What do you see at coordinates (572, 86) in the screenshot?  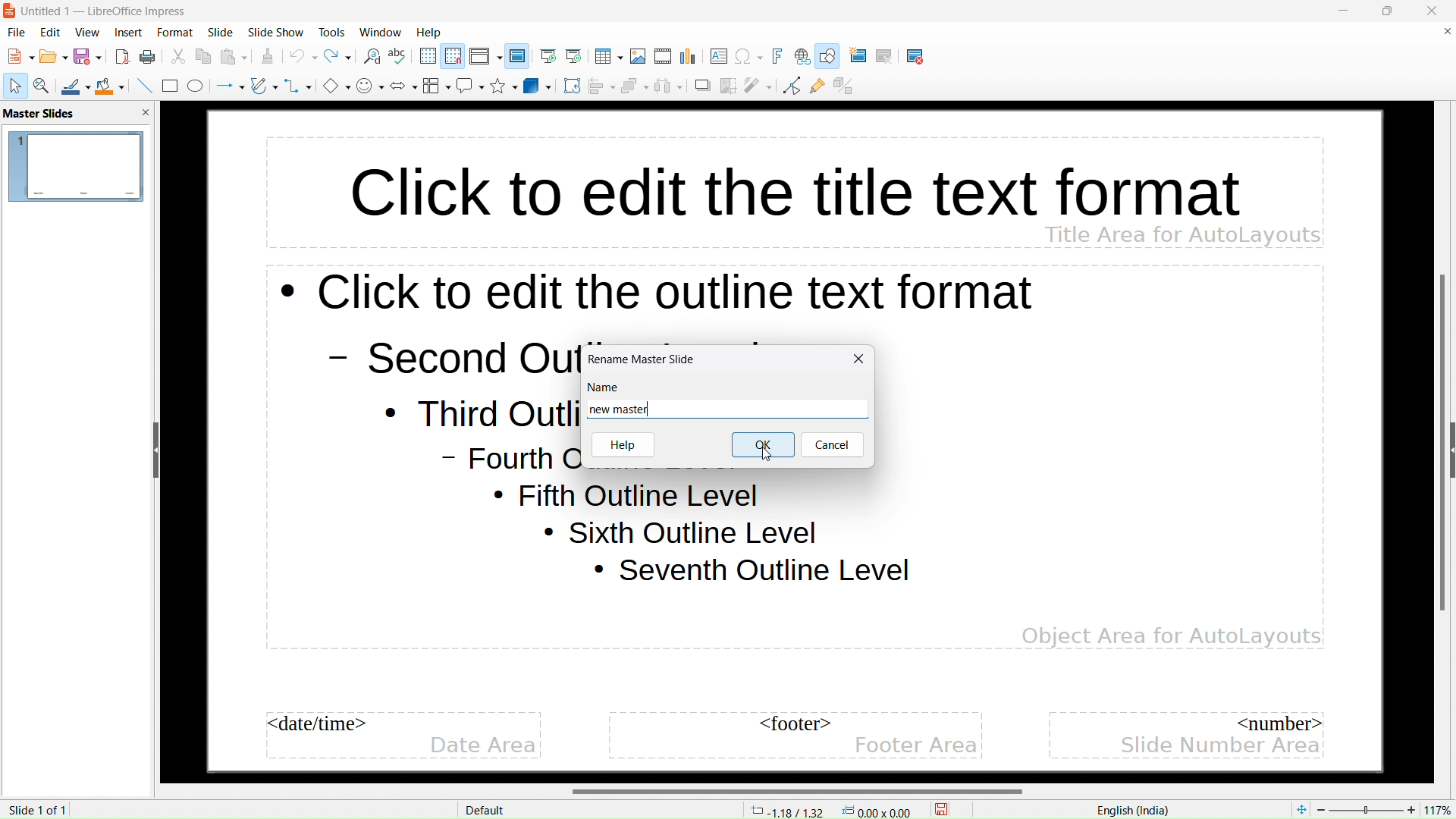 I see `rotate` at bounding box center [572, 86].